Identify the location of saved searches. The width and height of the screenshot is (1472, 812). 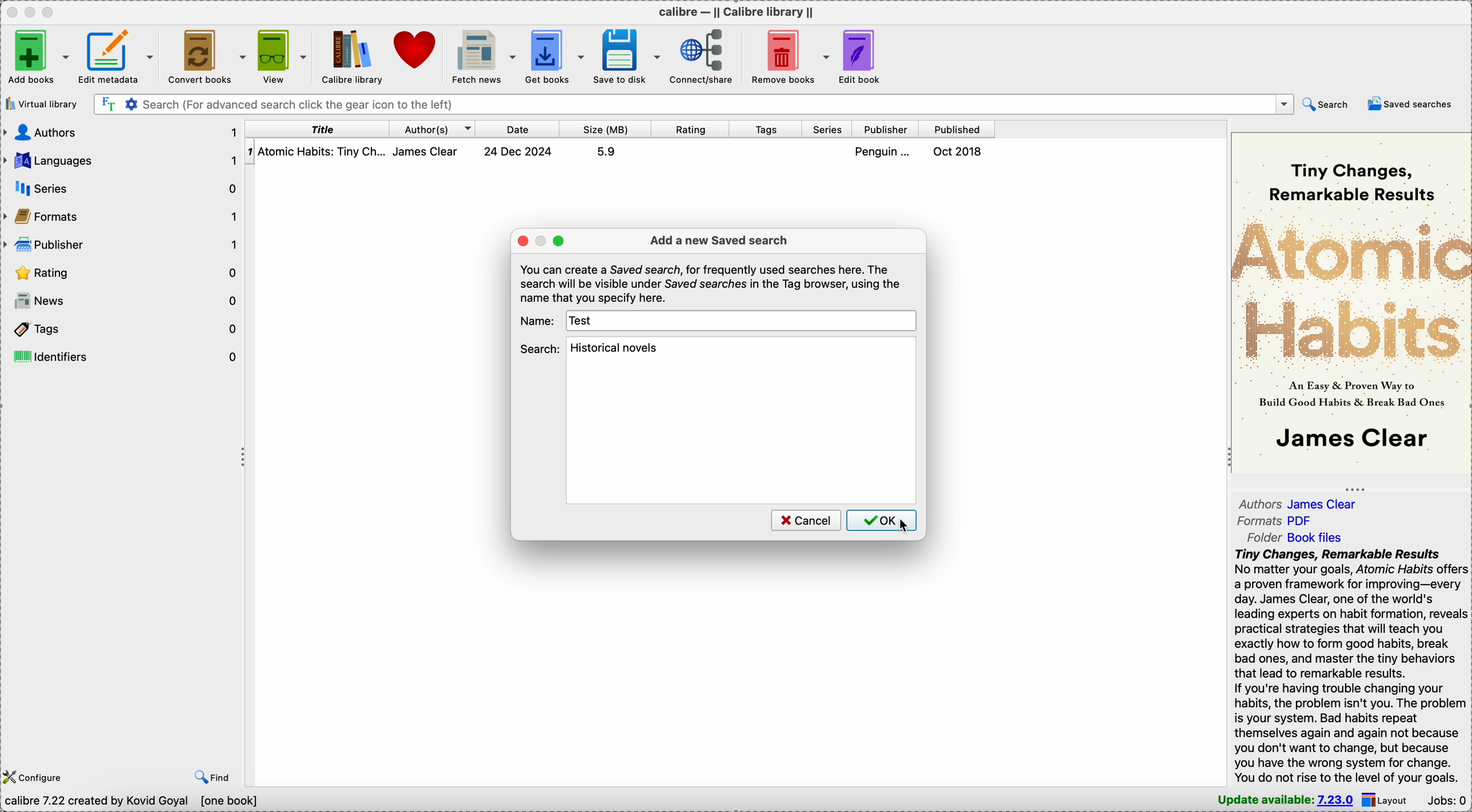
(1413, 104).